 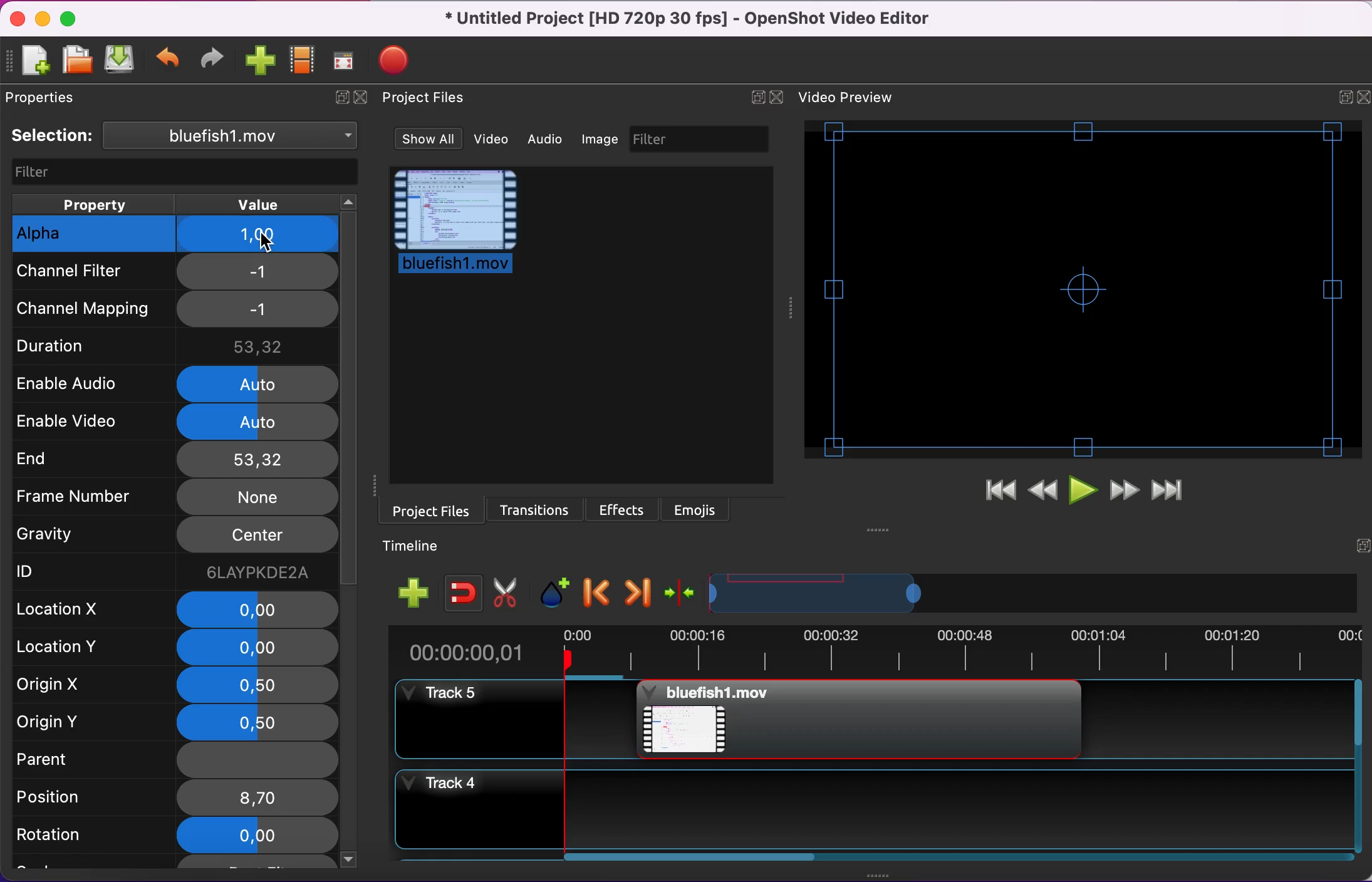 I want to click on effects, so click(x=624, y=509).